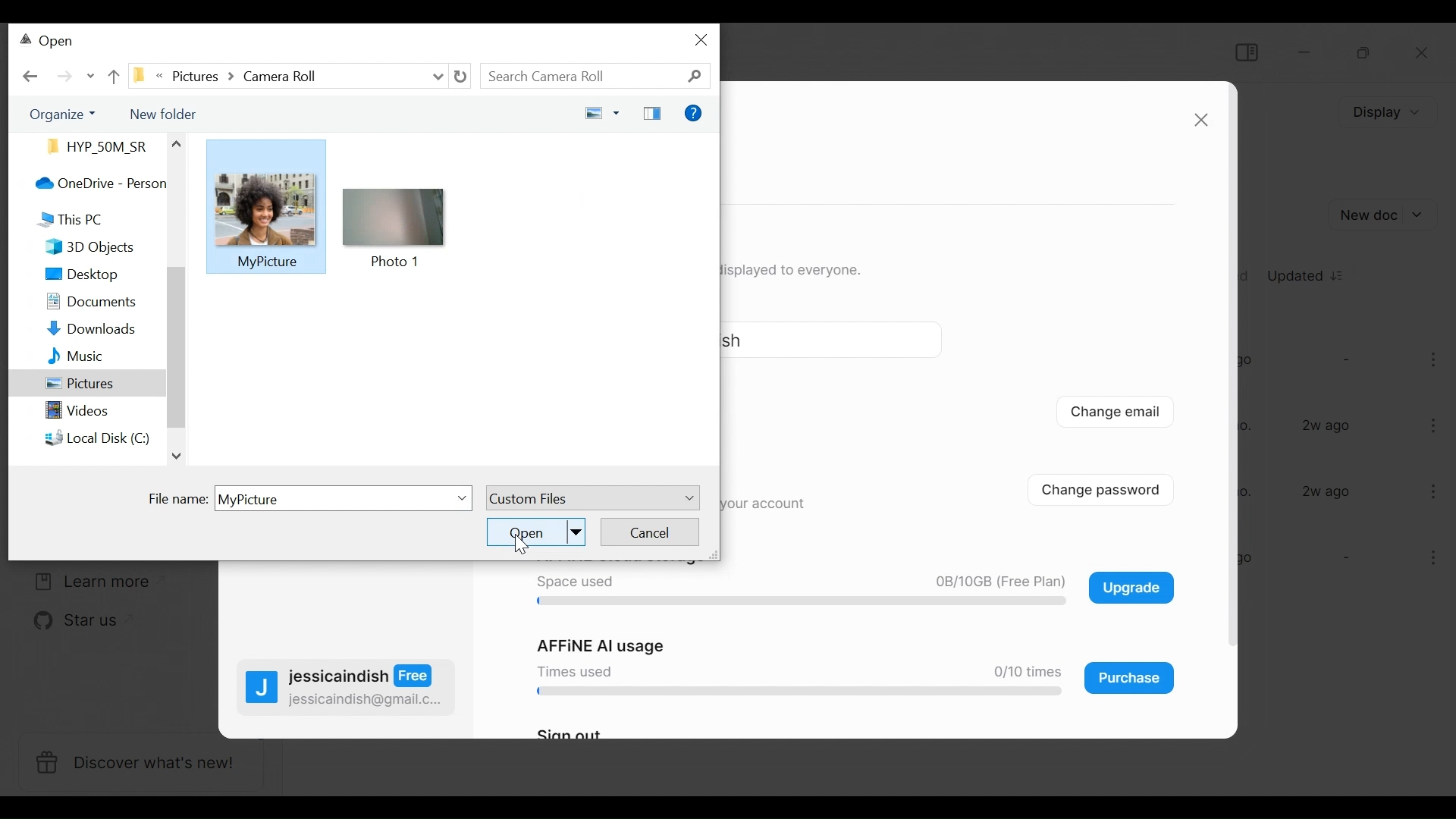  Describe the element at coordinates (78, 330) in the screenshot. I see `Downloads` at that location.